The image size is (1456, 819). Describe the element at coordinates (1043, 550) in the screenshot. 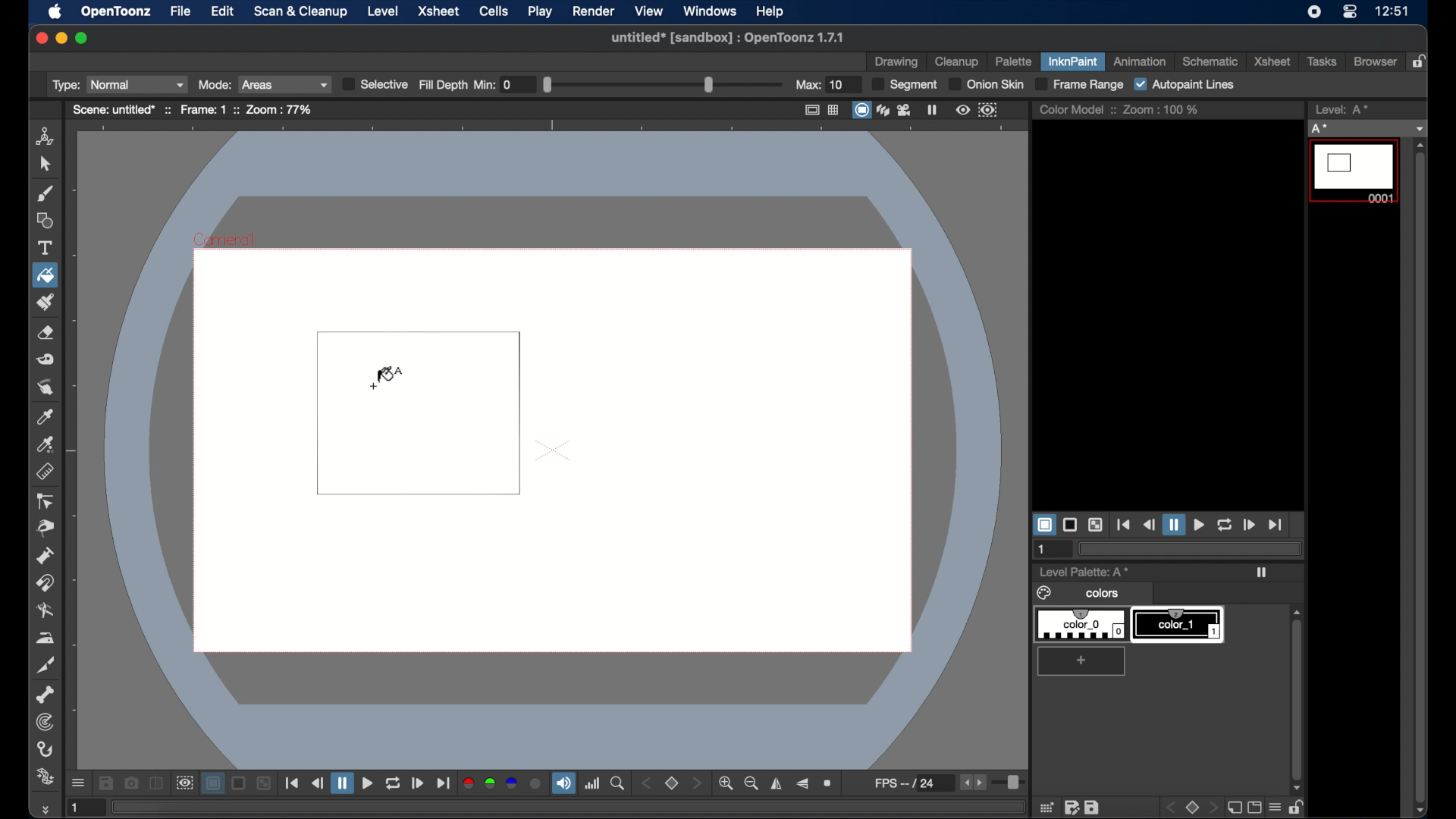

I see `1` at that location.